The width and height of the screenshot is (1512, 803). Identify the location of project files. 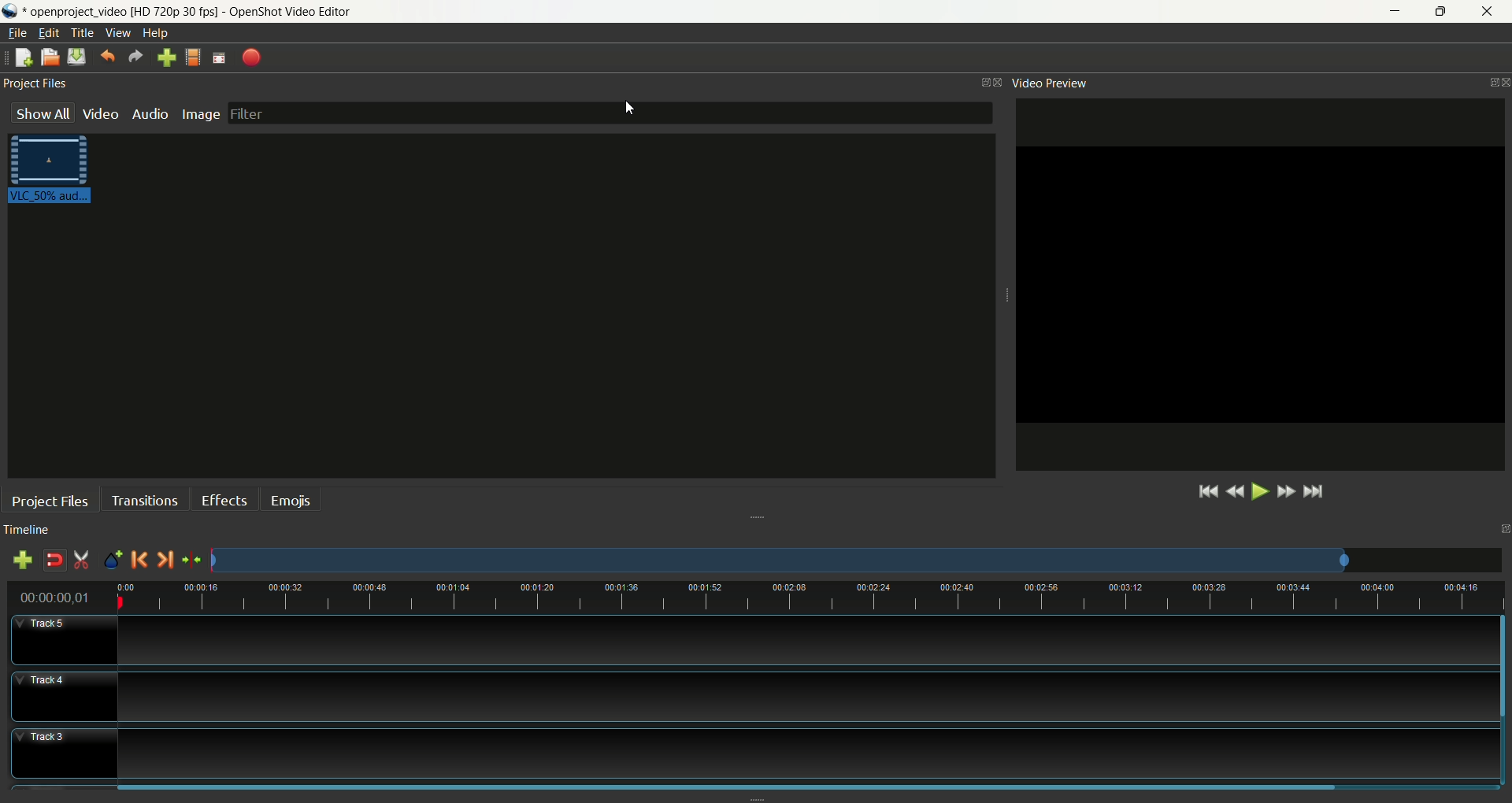
(37, 87).